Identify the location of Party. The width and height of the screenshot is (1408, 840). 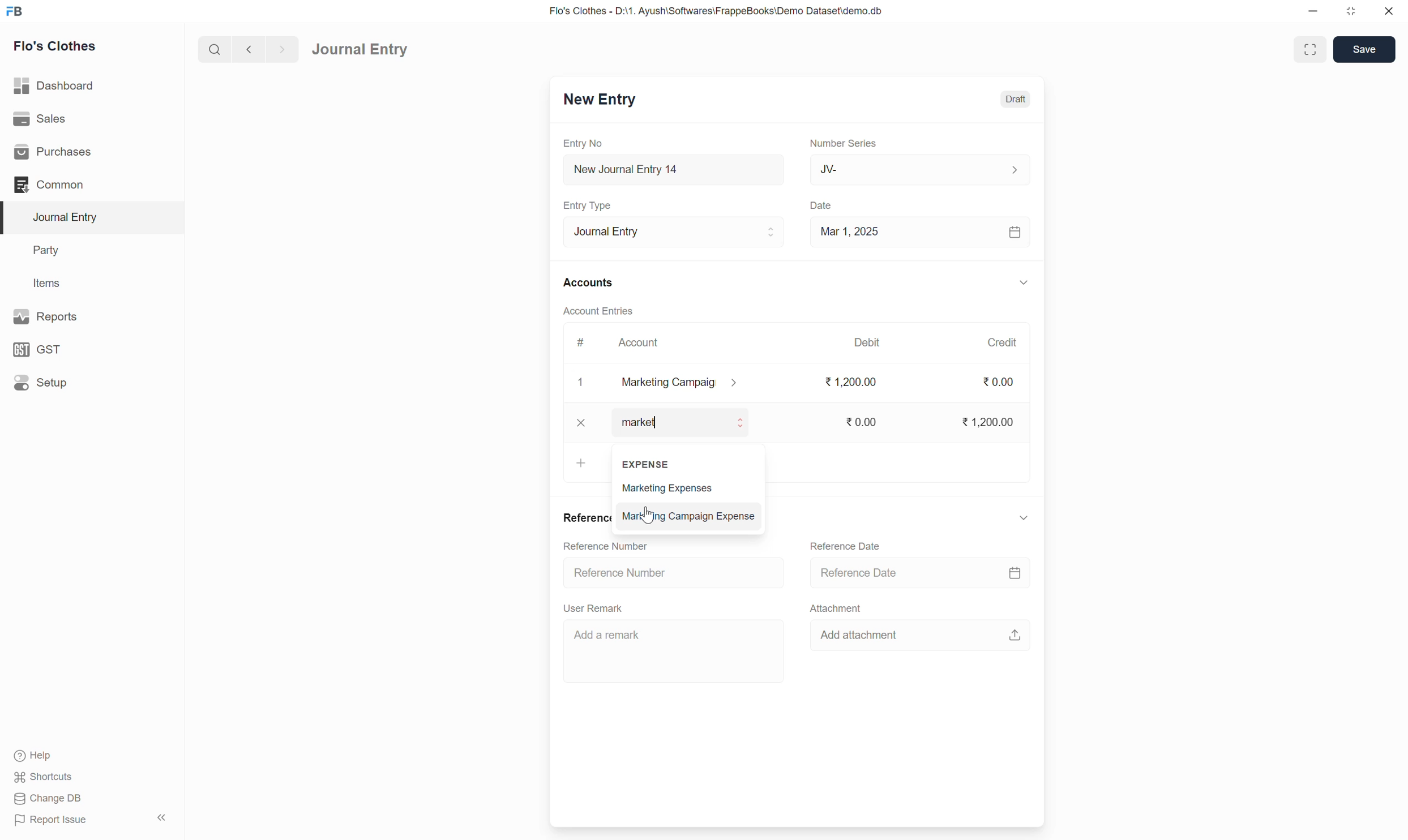
(49, 251).